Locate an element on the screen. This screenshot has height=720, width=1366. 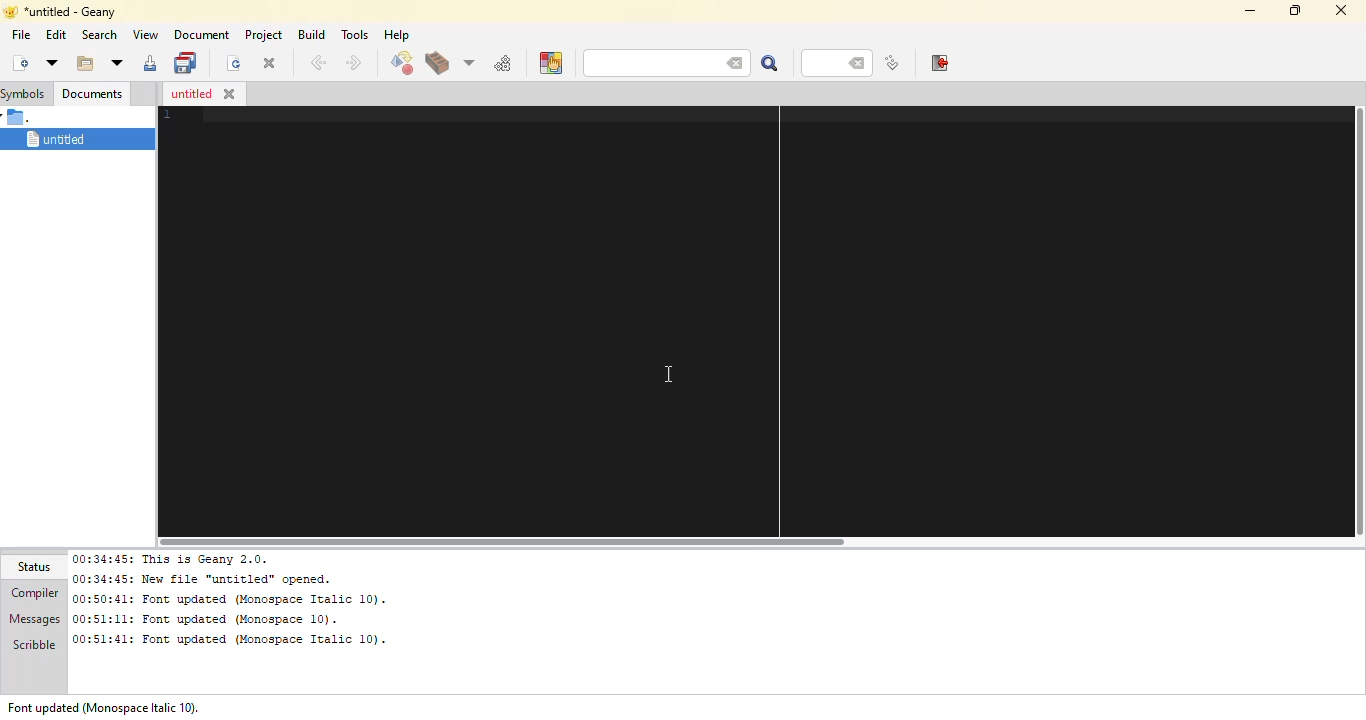
tools is located at coordinates (355, 34).